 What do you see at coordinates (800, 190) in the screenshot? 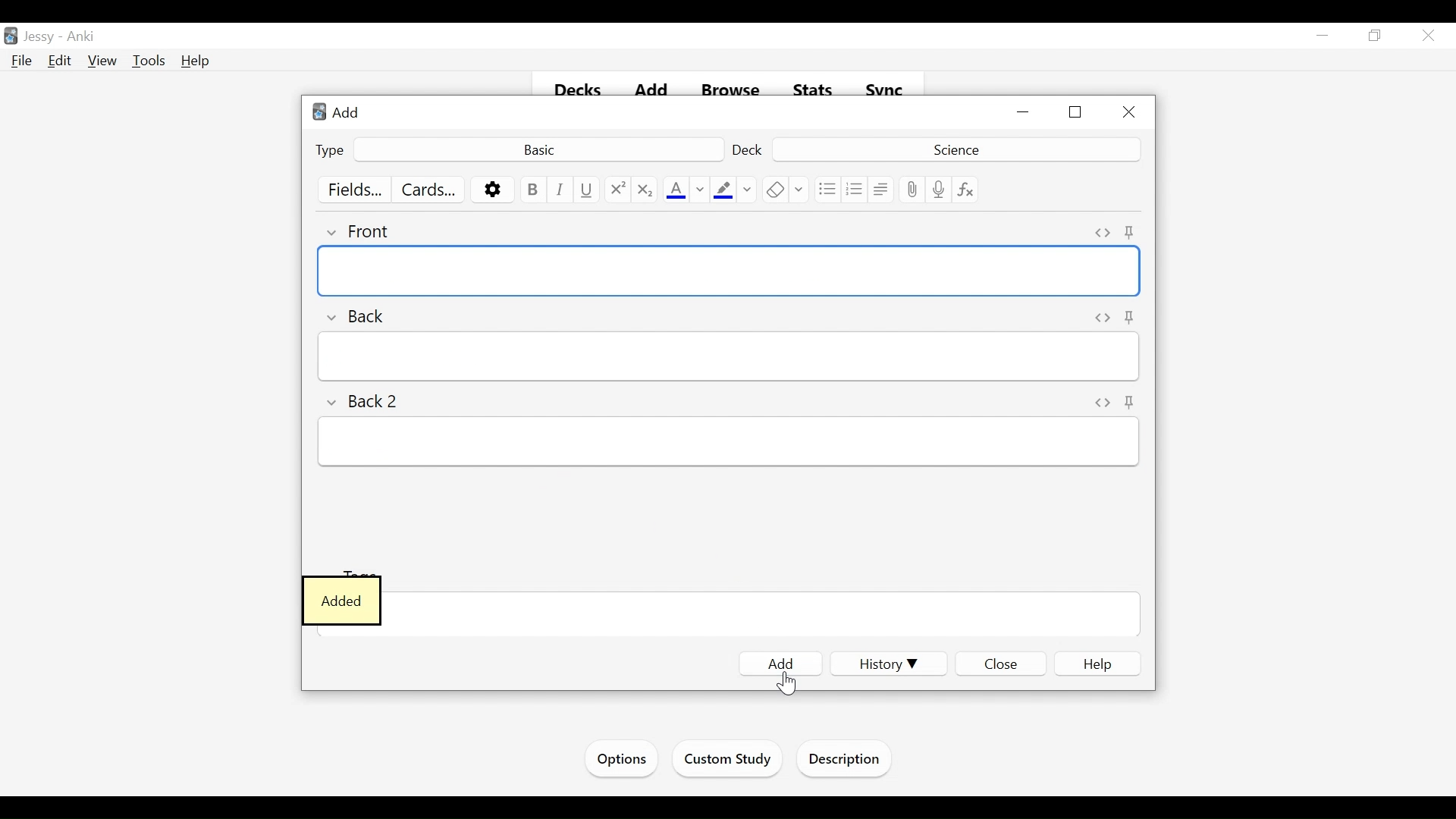
I see `Change color` at bounding box center [800, 190].